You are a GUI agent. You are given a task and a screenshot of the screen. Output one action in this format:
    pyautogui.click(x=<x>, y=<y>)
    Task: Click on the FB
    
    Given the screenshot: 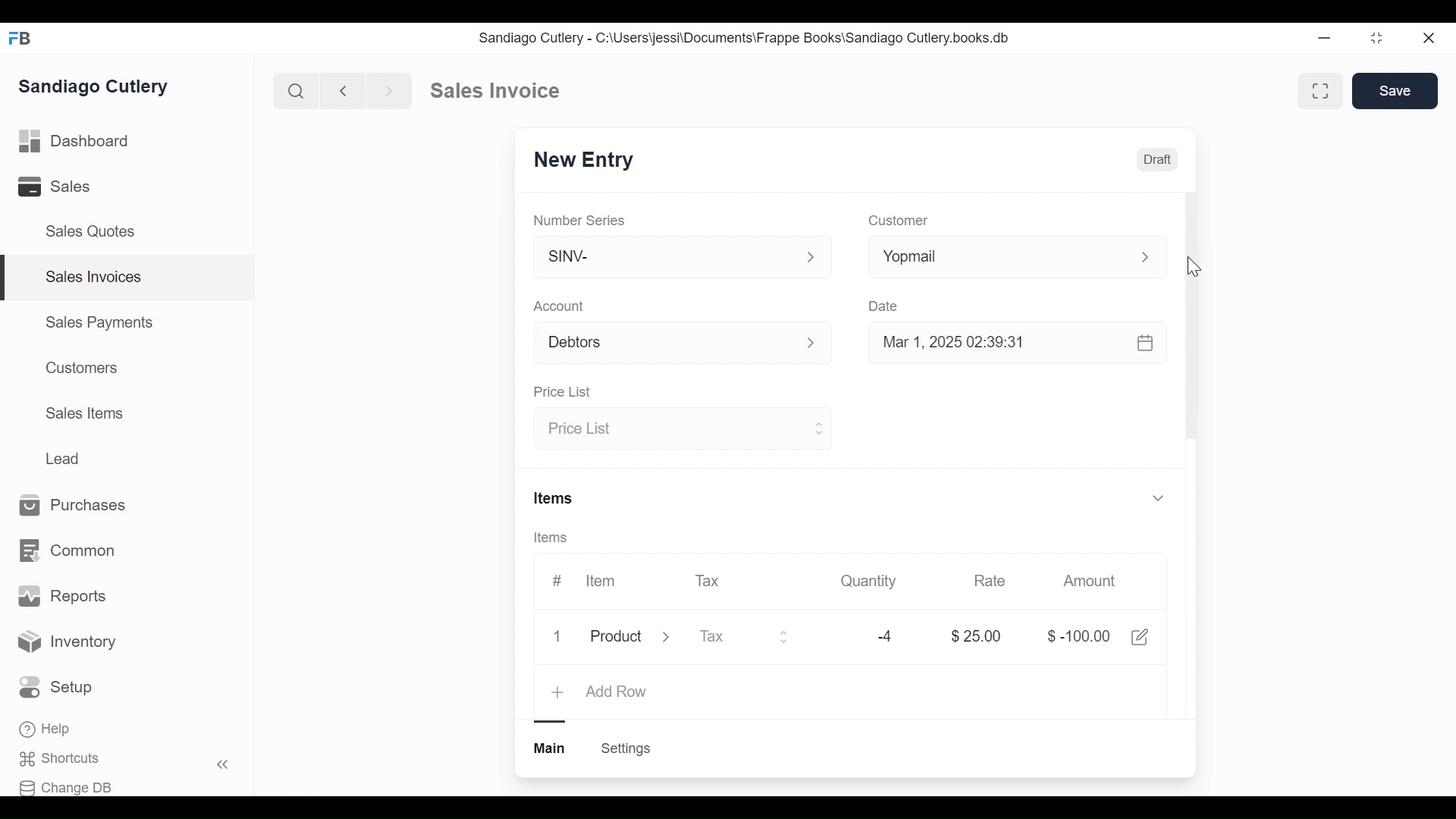 What is the action you would take?
    pyautogui.click(x=23, y=39)
    